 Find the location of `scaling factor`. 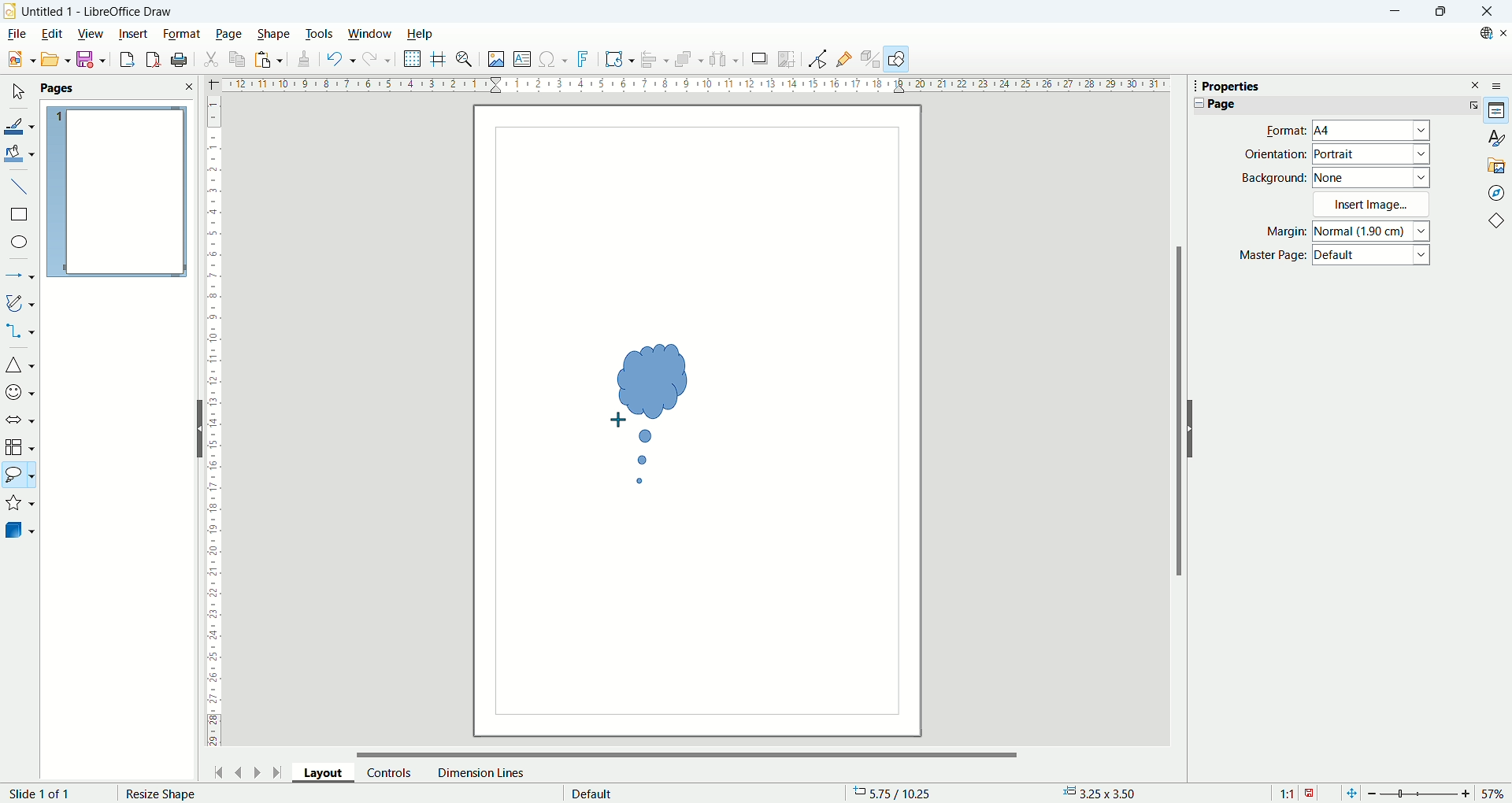

scaling factor is located at coordinates (1296, 792).